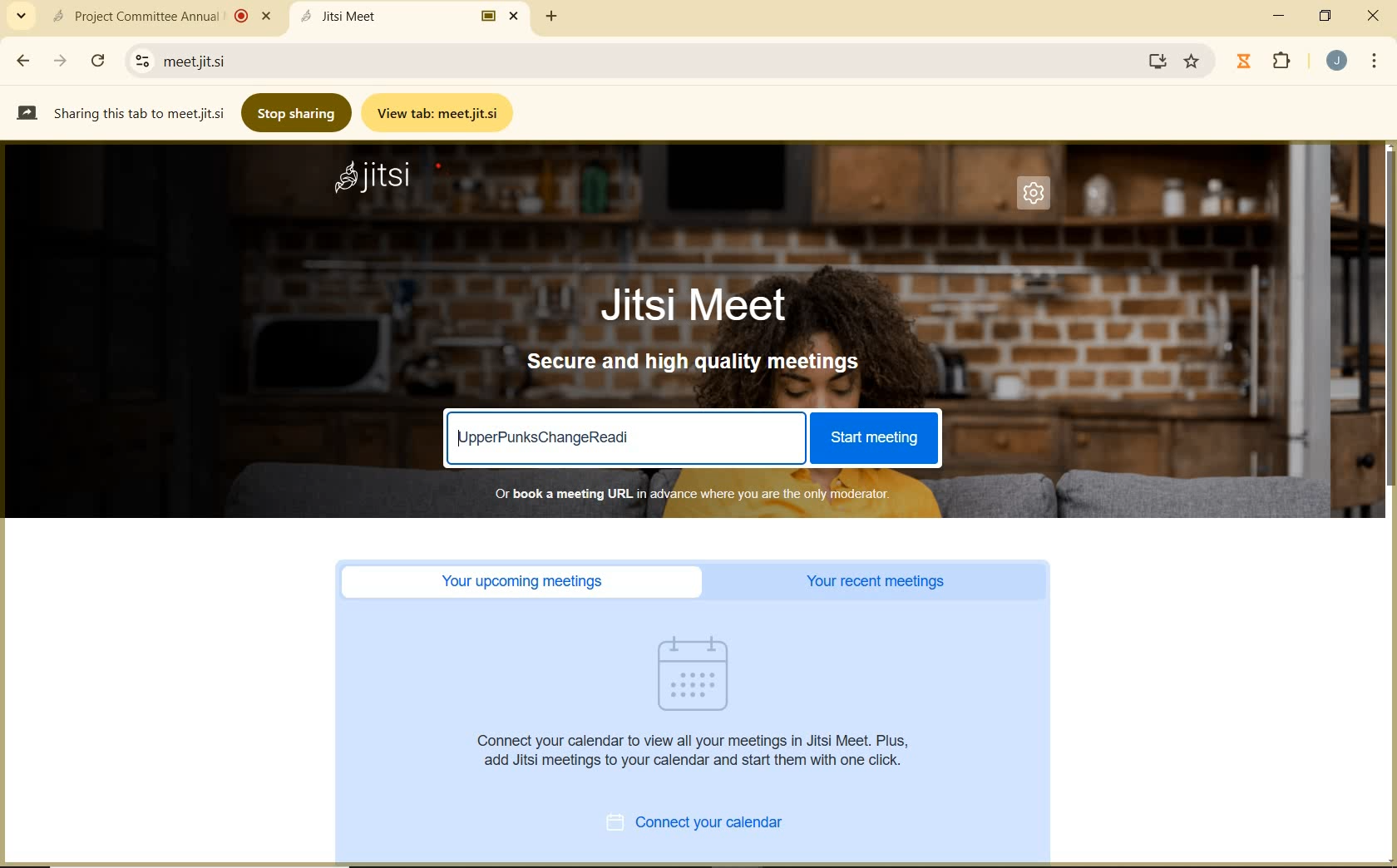 The image size is (1397, 868). I want to click on CONNECT YOUR CALENDER, so click(713, 825).